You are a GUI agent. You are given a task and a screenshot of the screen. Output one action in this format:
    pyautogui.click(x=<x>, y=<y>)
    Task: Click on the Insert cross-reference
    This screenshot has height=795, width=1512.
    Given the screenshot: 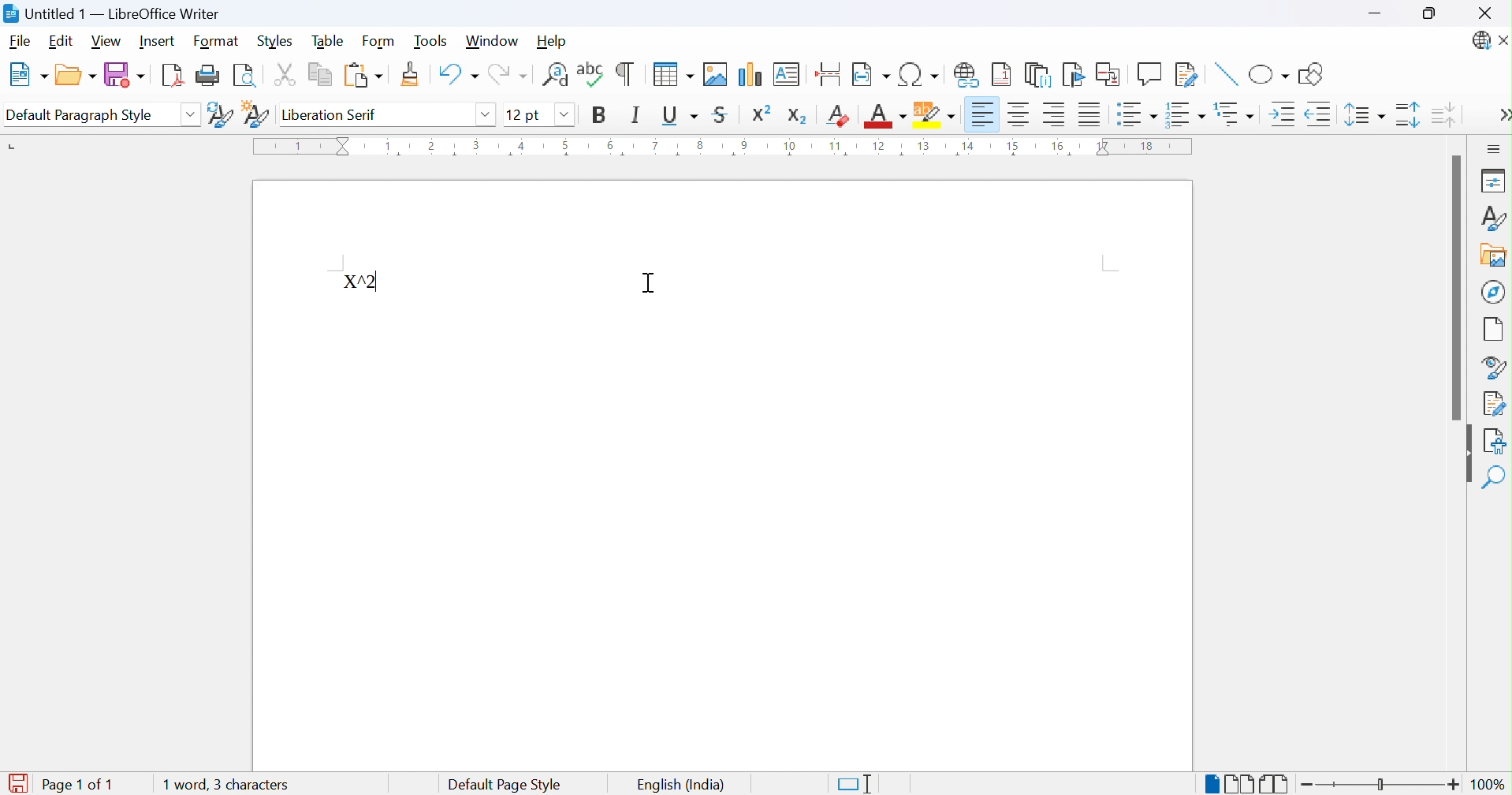 What is the action you would take?
    pyautogui.click(x=1108, y=76)
    